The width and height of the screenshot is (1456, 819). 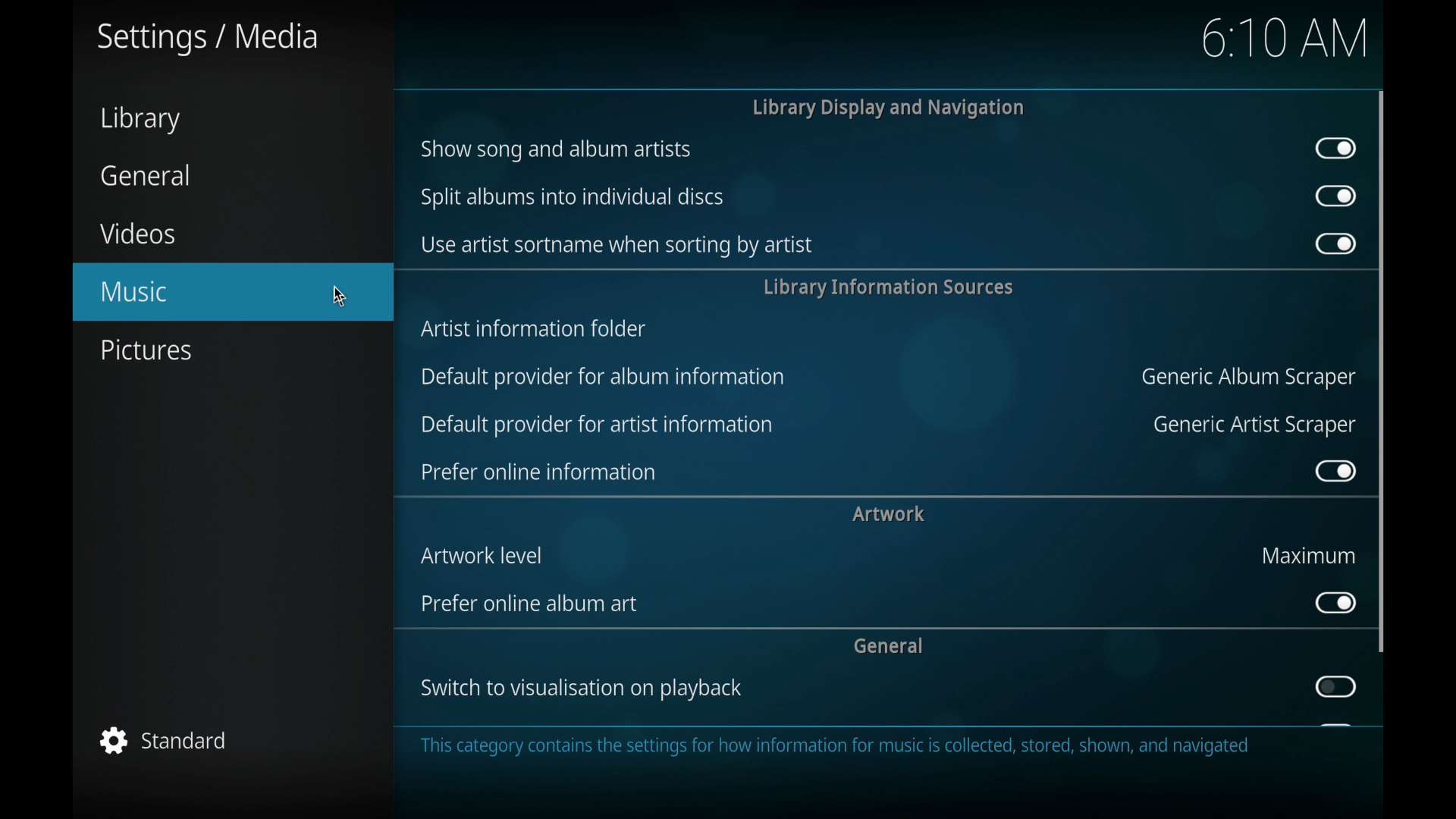 I want to click on artwork level, so click(x=485, y=555).